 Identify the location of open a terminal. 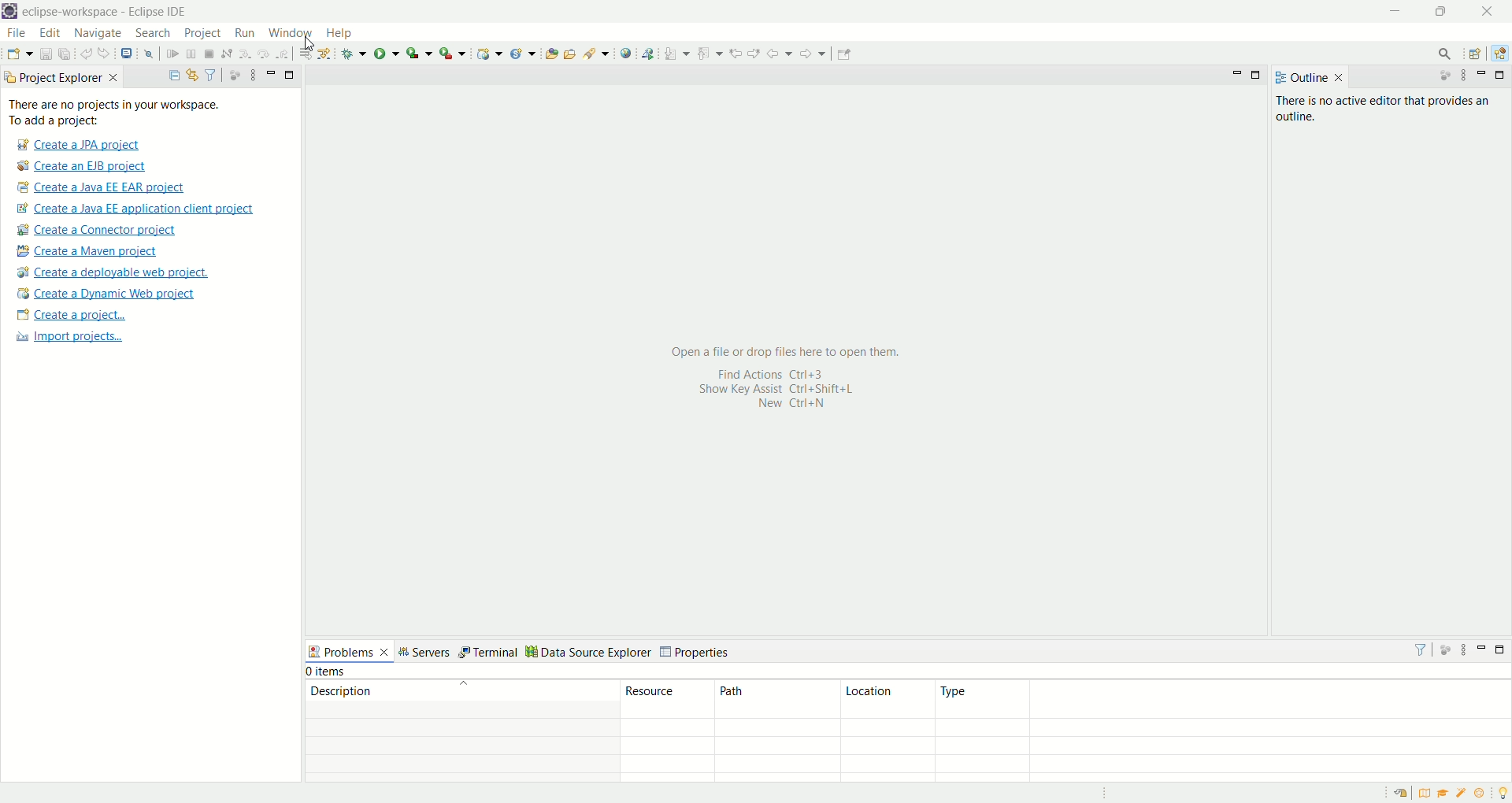
(126, 54).